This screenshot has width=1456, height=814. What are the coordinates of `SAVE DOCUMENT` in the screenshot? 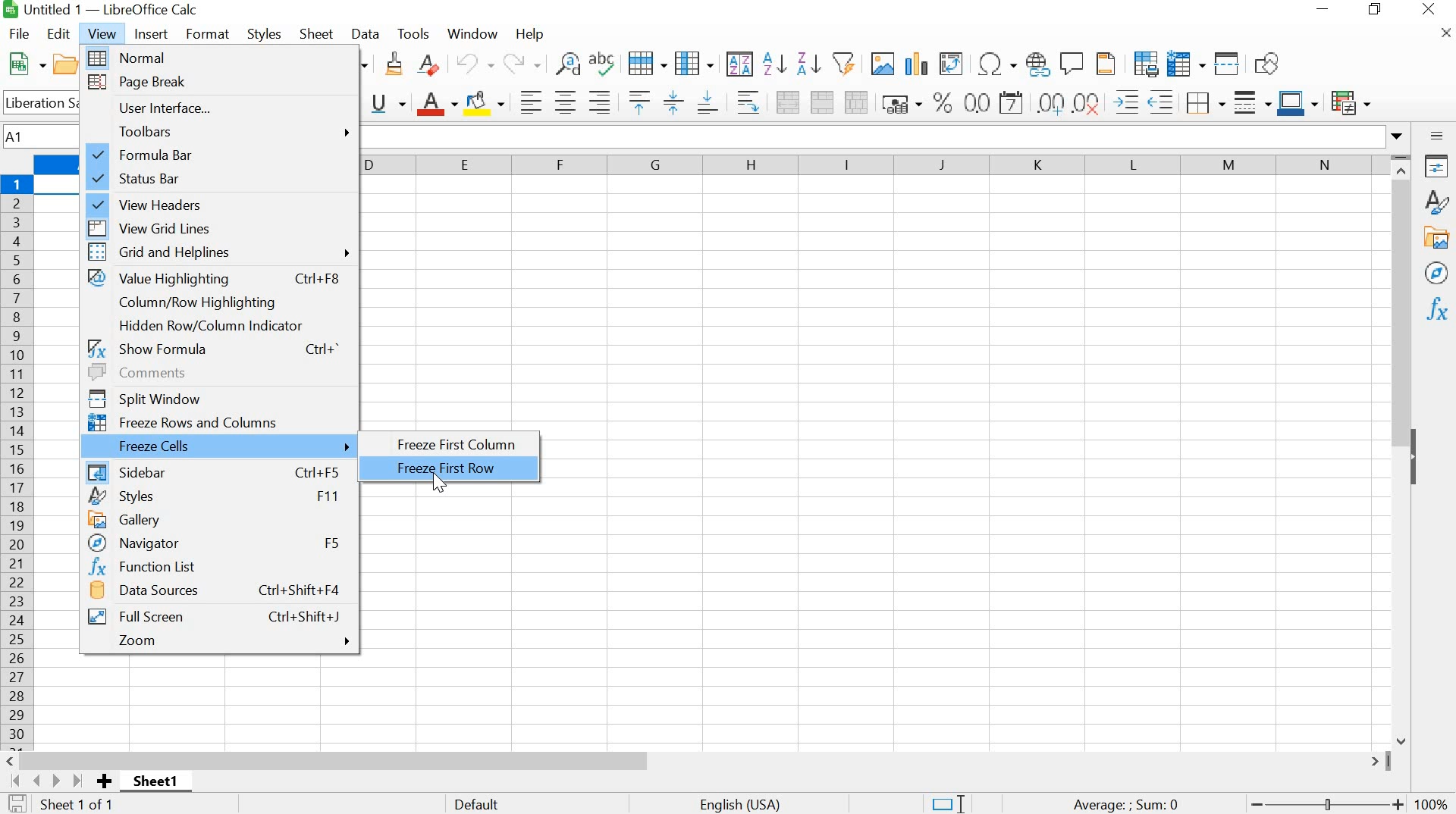 It's located at (21, 804).